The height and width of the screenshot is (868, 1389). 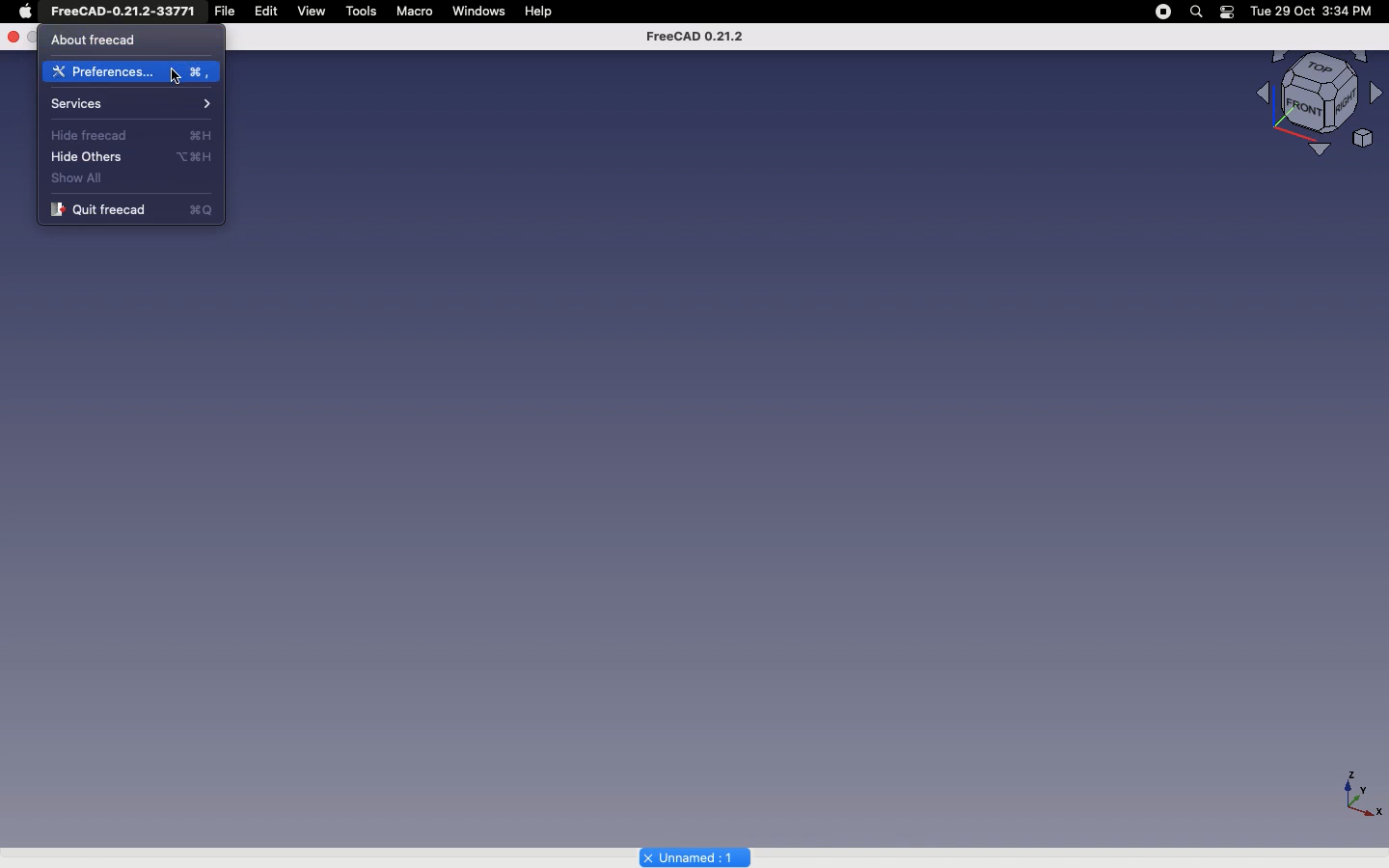 I want to click on pause, so click(x=1163, y=12).